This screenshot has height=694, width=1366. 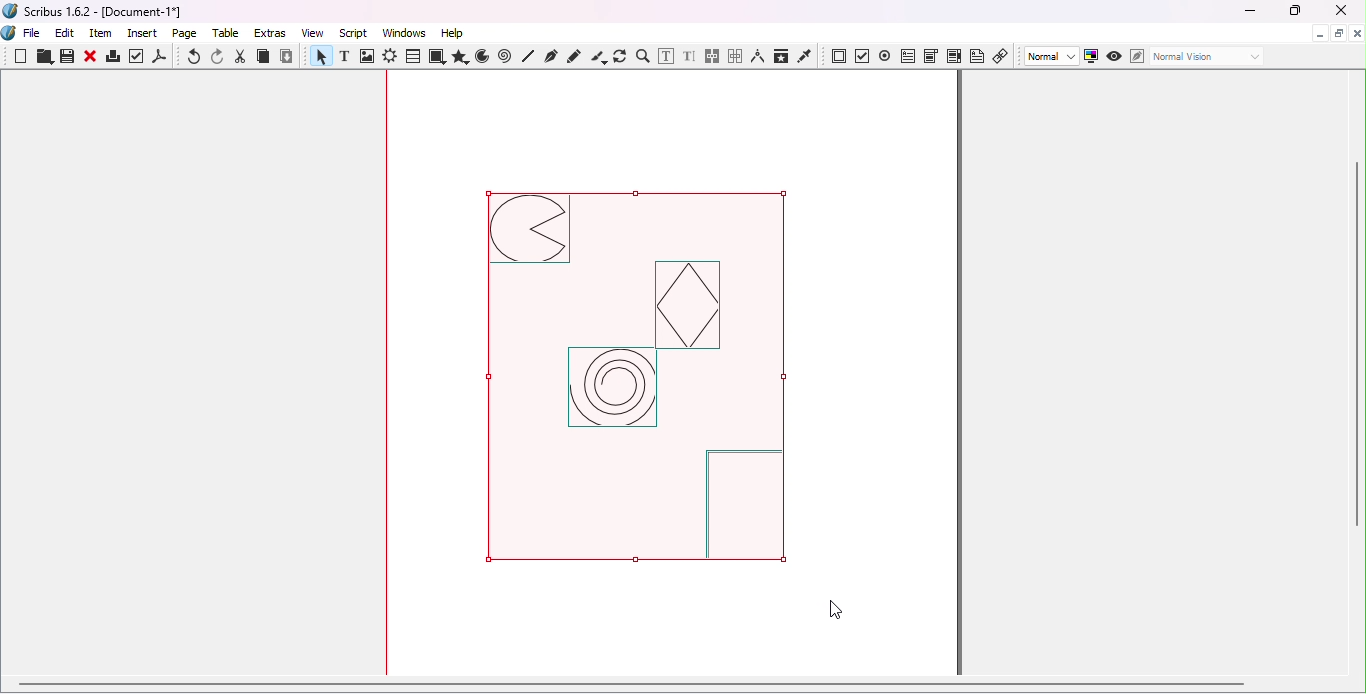 I want to click on Horizontal scroll bar, so click(x=674, y=687).